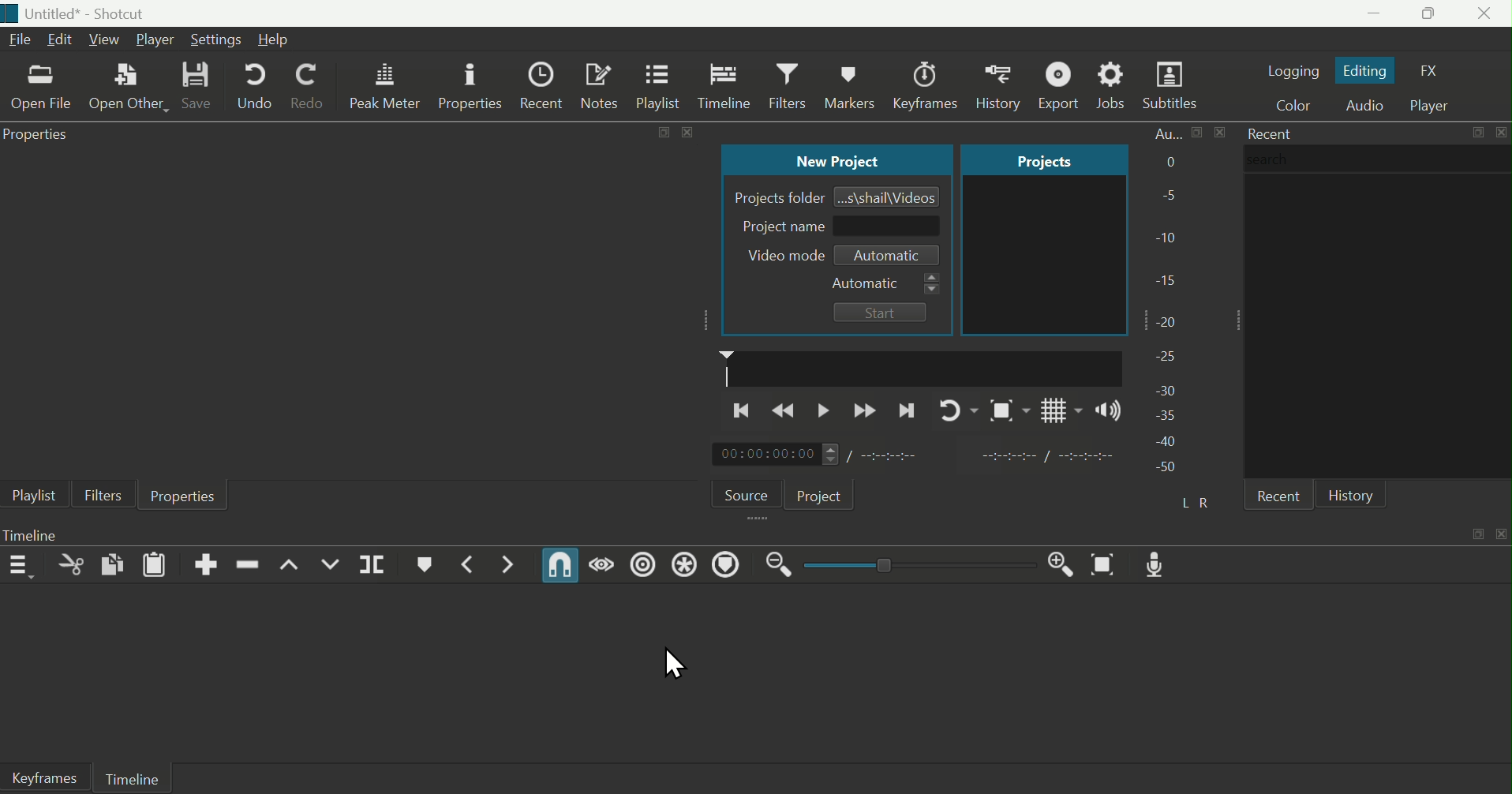 The width and height of the screenshot is (1512, 794). I want to click on Re-Play, so click(951, 408).